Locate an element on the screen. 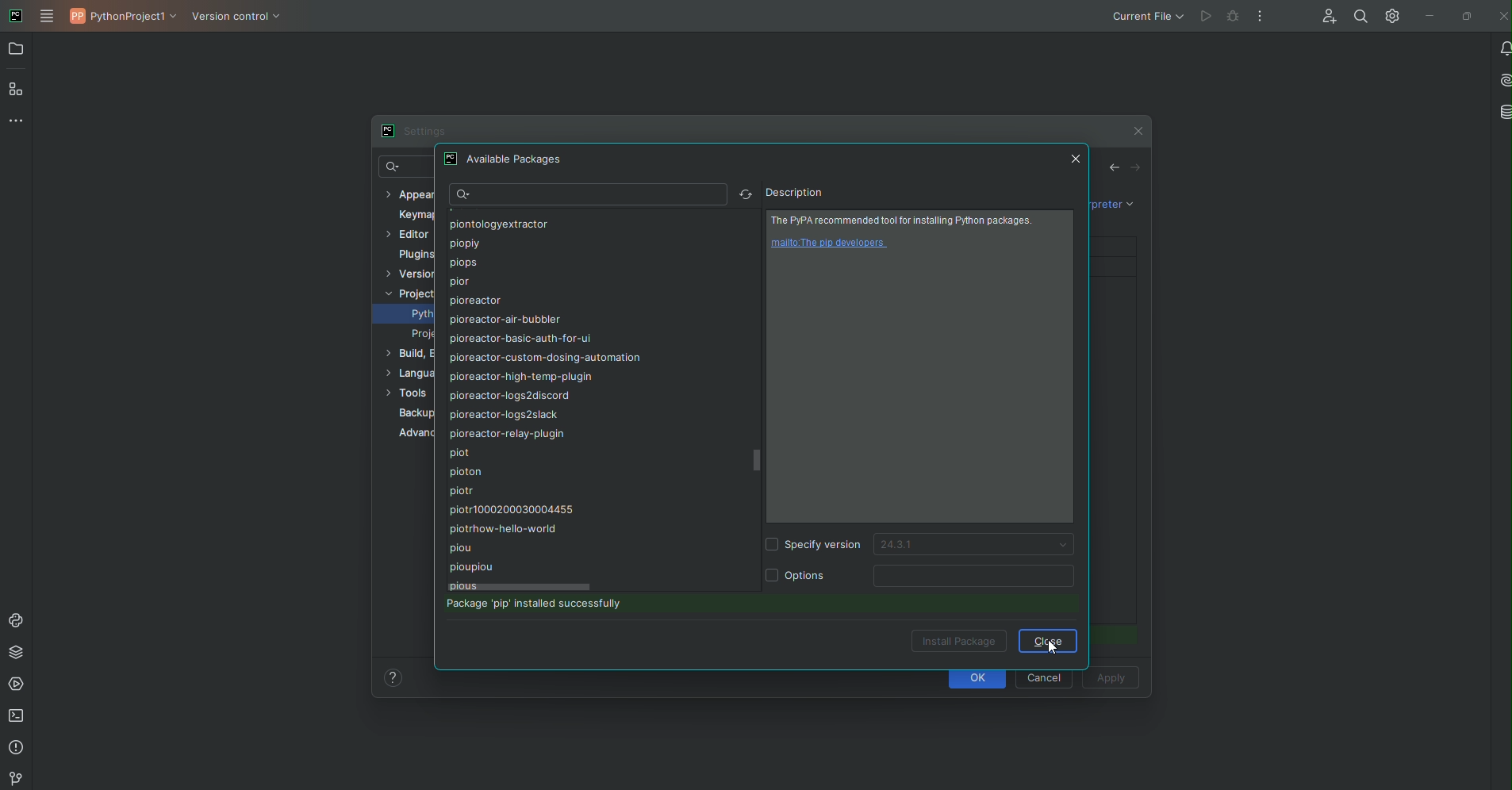 This screenshot has height=790, width=1512. Console is located at coordinates (15, 618).